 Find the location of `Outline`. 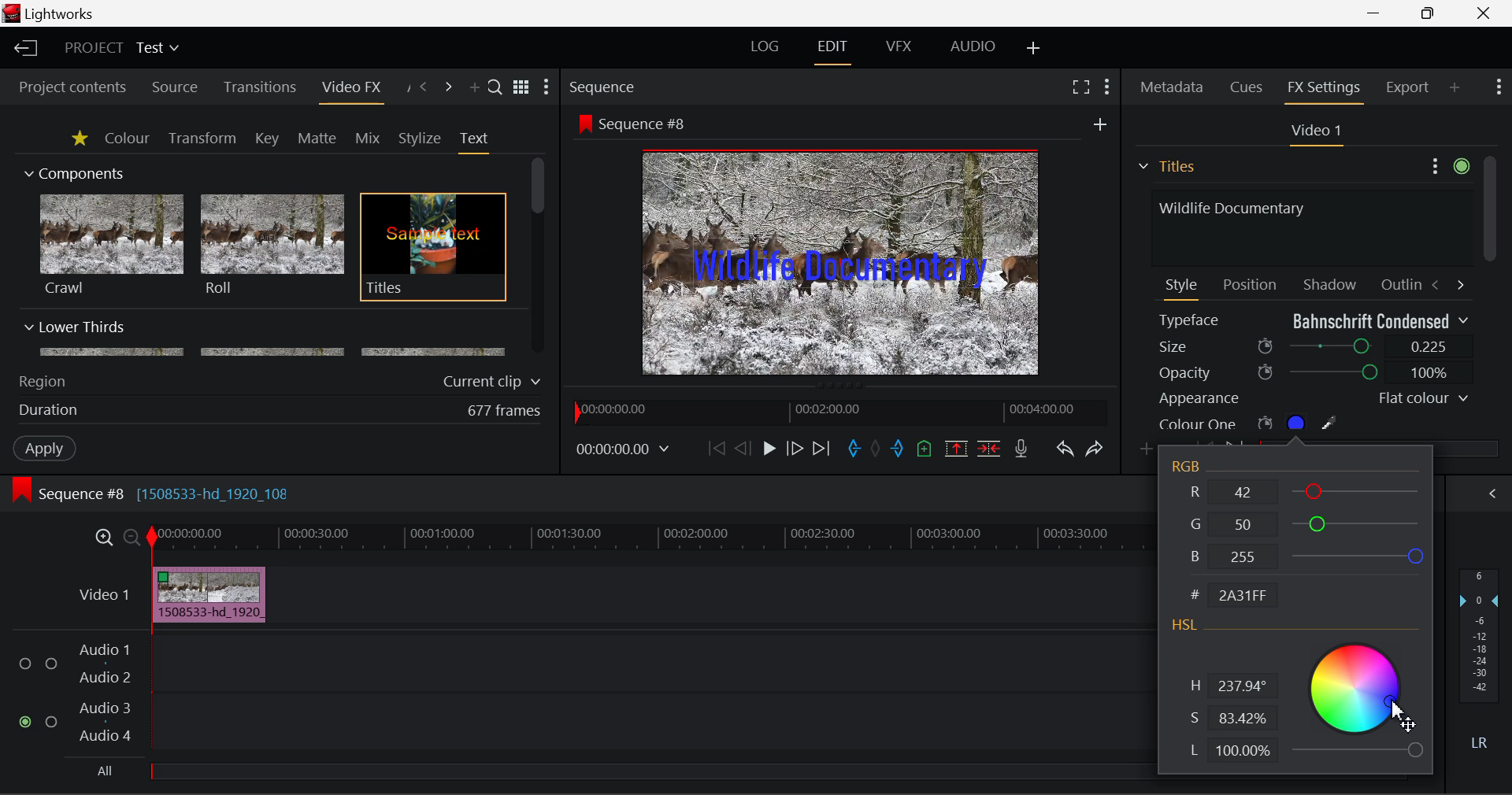

Outline is located at coordinates (1399, 283).